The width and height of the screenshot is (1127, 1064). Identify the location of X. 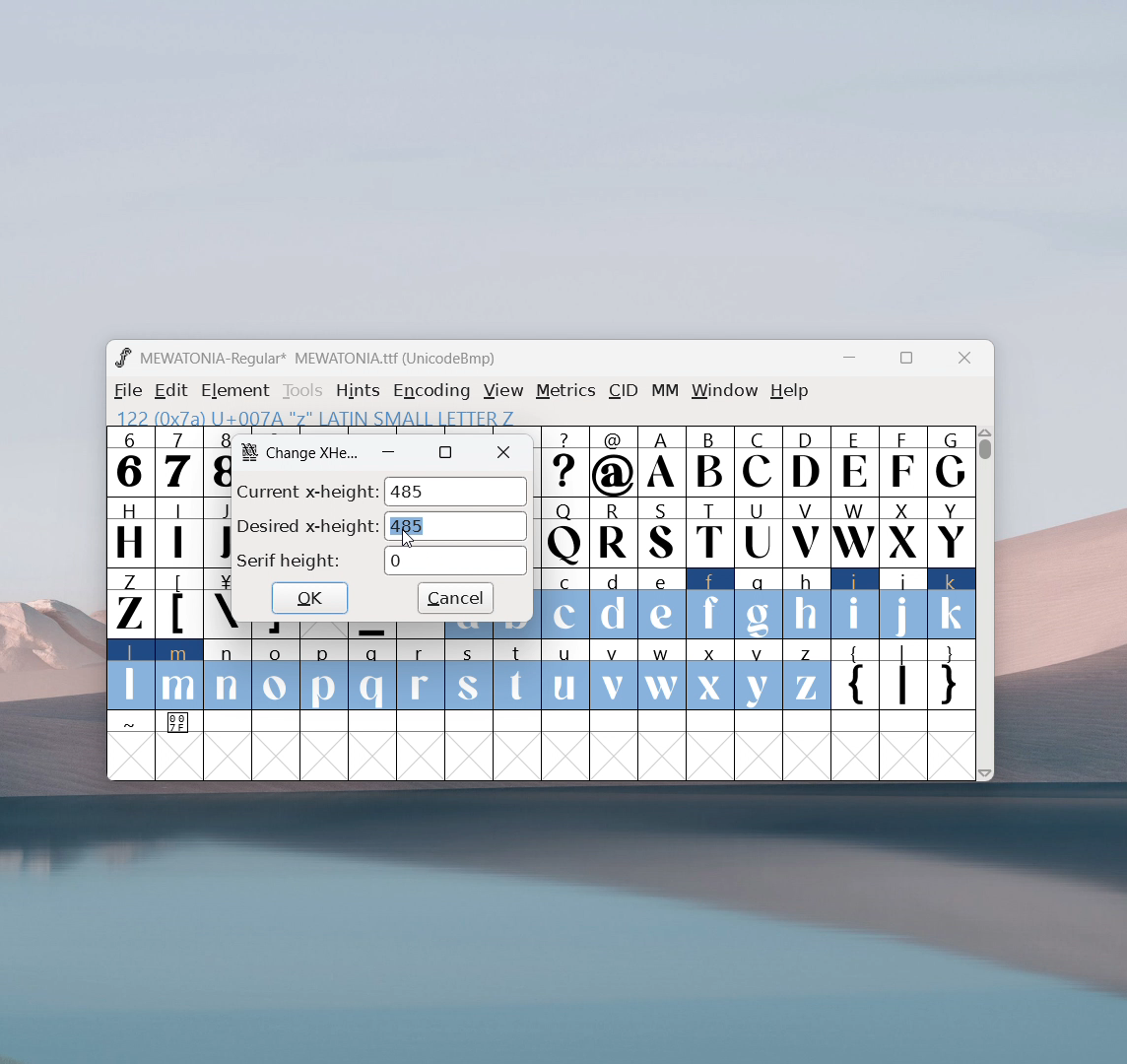
(903, 531).